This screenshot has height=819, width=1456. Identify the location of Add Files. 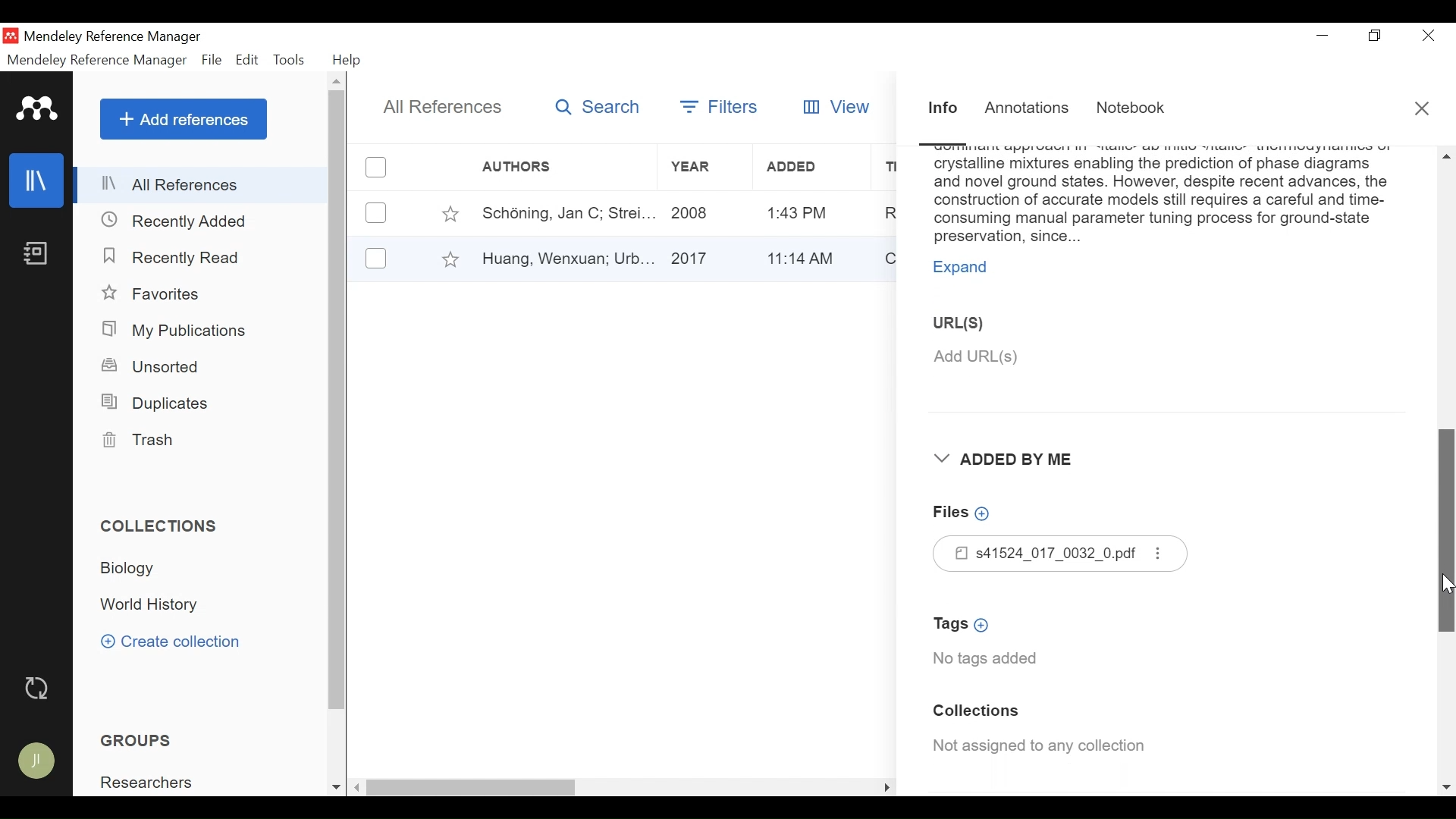
(964, 513).